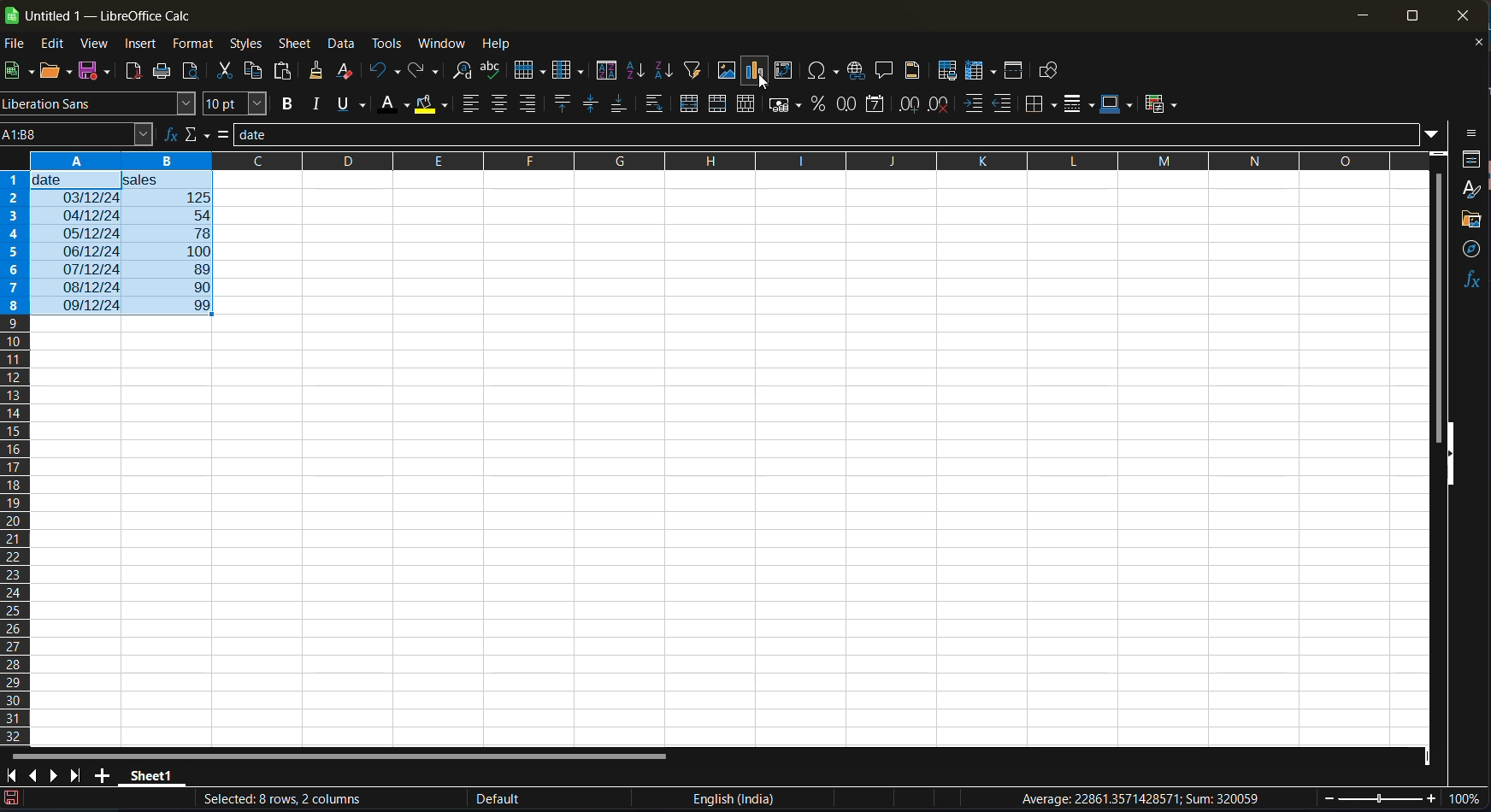 This screenshot has height=812, width=1491. Describe the element at coordinates (750, 104) in the screenshot. I see `unmerge cells` at that location.